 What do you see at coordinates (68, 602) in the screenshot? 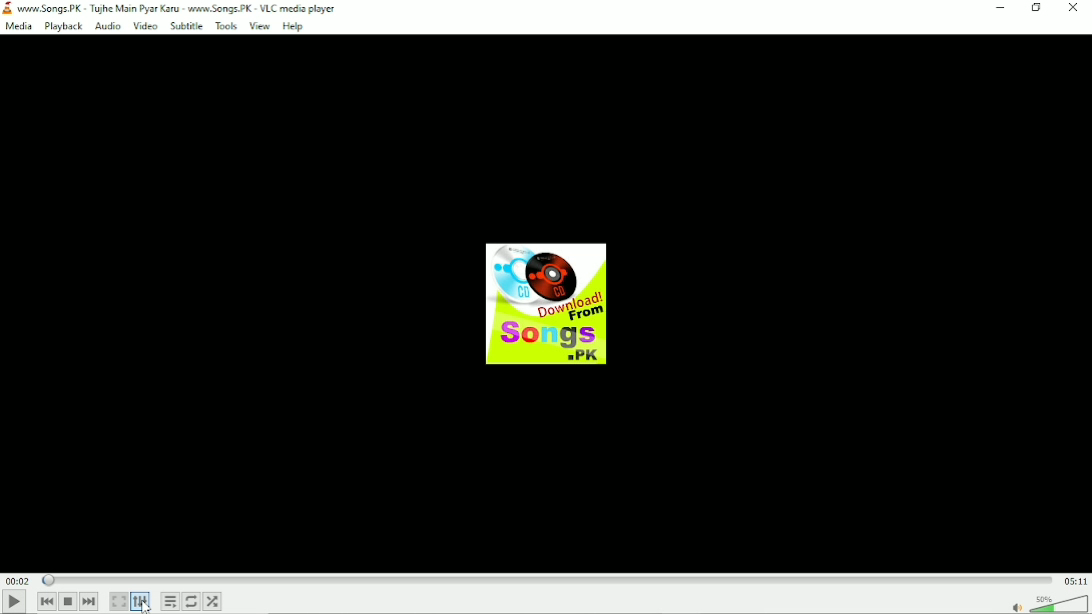
I see `Stop playlist` at bounding box center [68, 602].